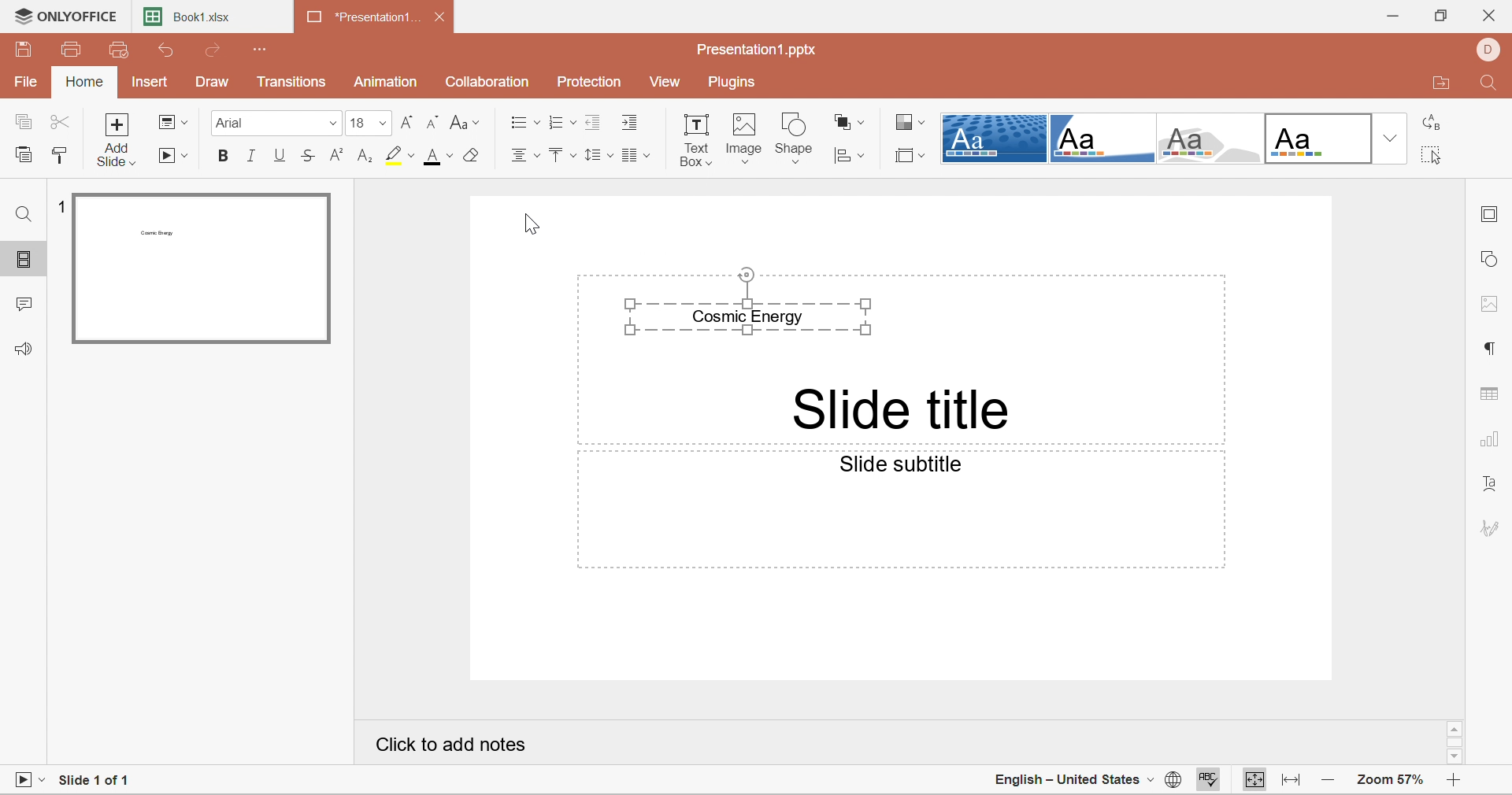 Image resolution: width=1512 pixels, height=795 pixels. What do you see at coordinates (559, 156) in the screenshot?
I see `Align Top` at bounding box center [559, 156].